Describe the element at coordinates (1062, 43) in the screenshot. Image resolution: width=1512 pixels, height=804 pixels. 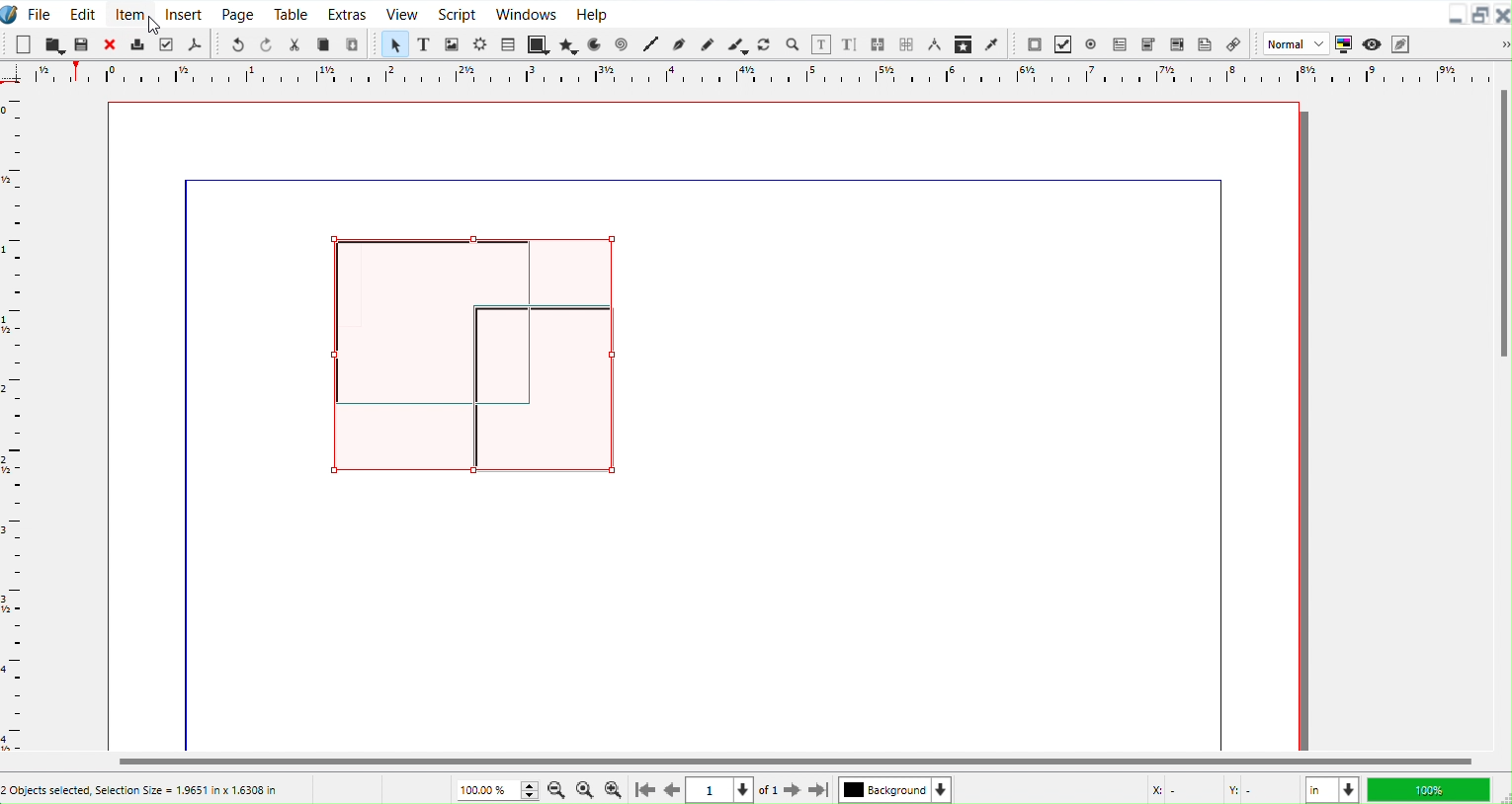
I see `PDF Check box` at that location.